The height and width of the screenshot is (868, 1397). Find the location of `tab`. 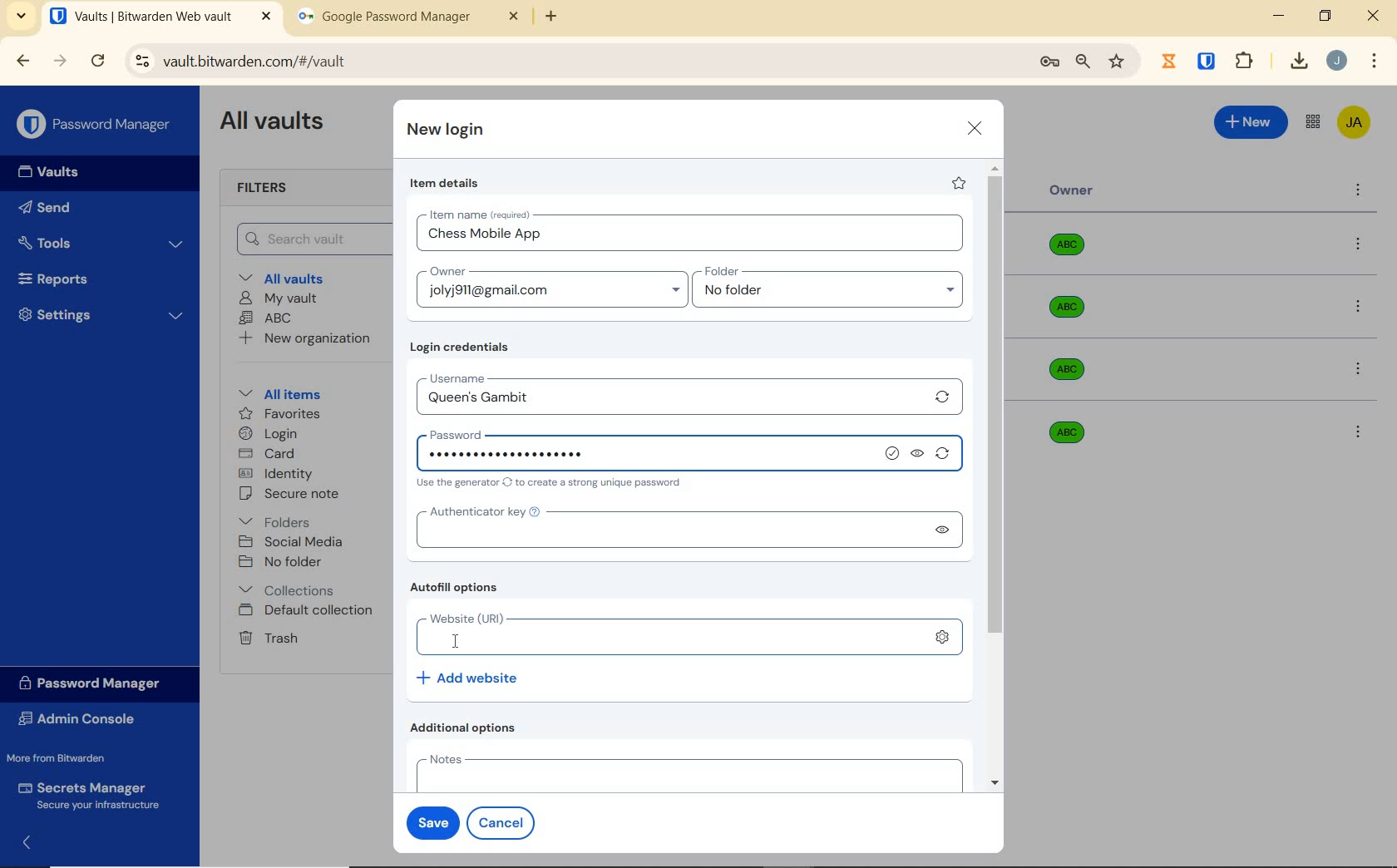

tab is located at coordinates (408, 20).